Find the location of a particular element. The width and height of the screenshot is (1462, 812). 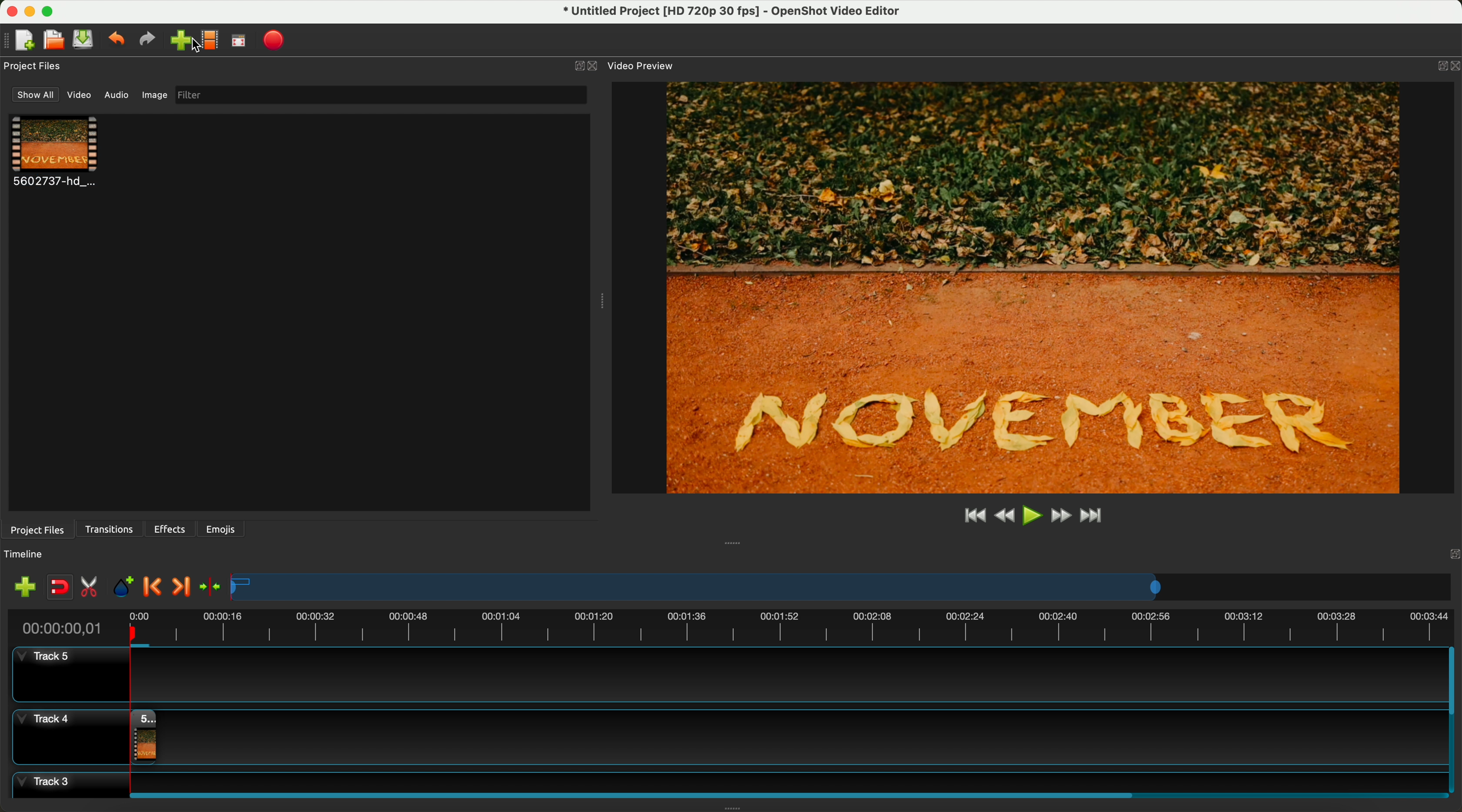

scroll bar is located at coordinates (783, 793).